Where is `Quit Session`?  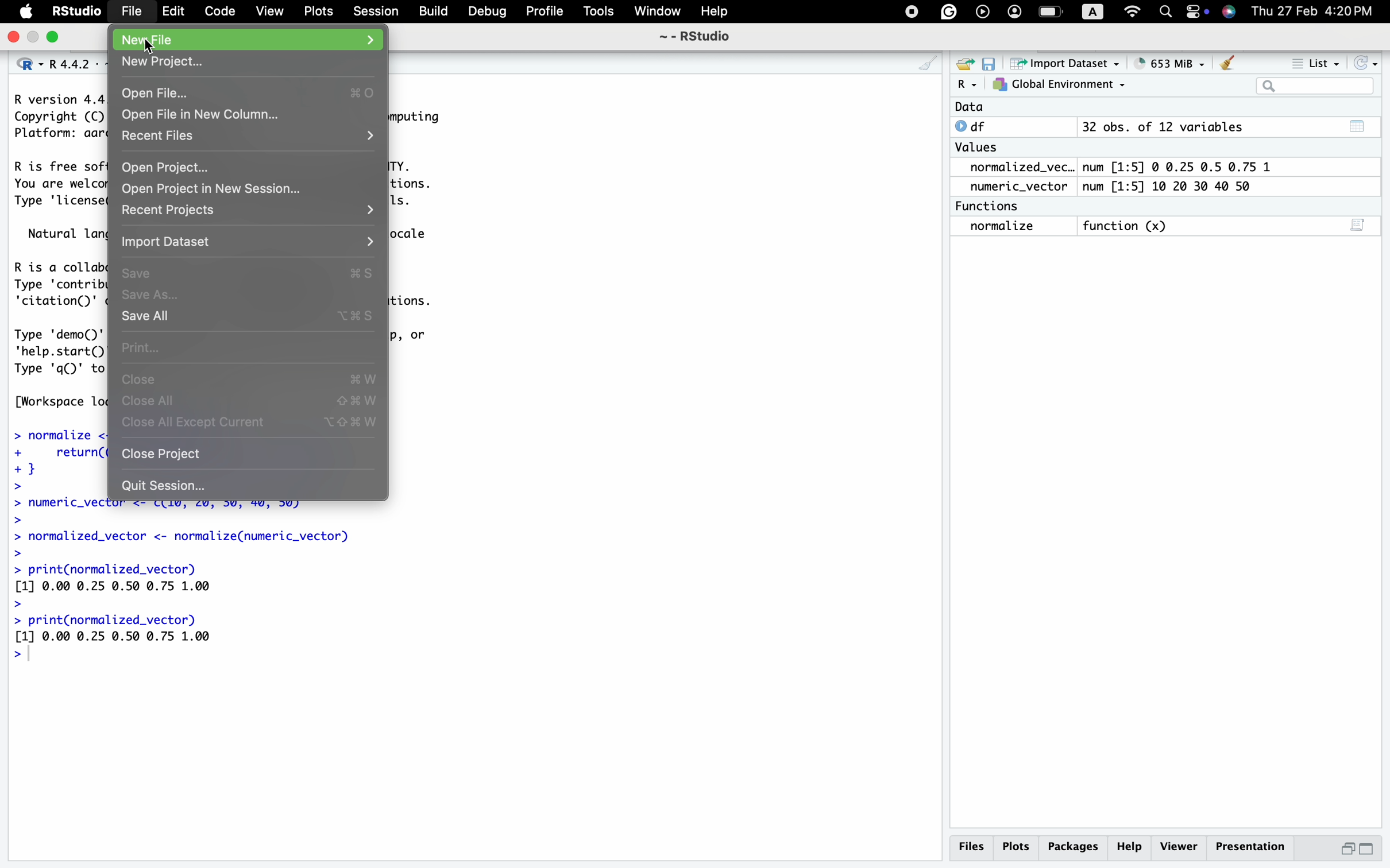
Quit Session is located at coordinates (165, 486).